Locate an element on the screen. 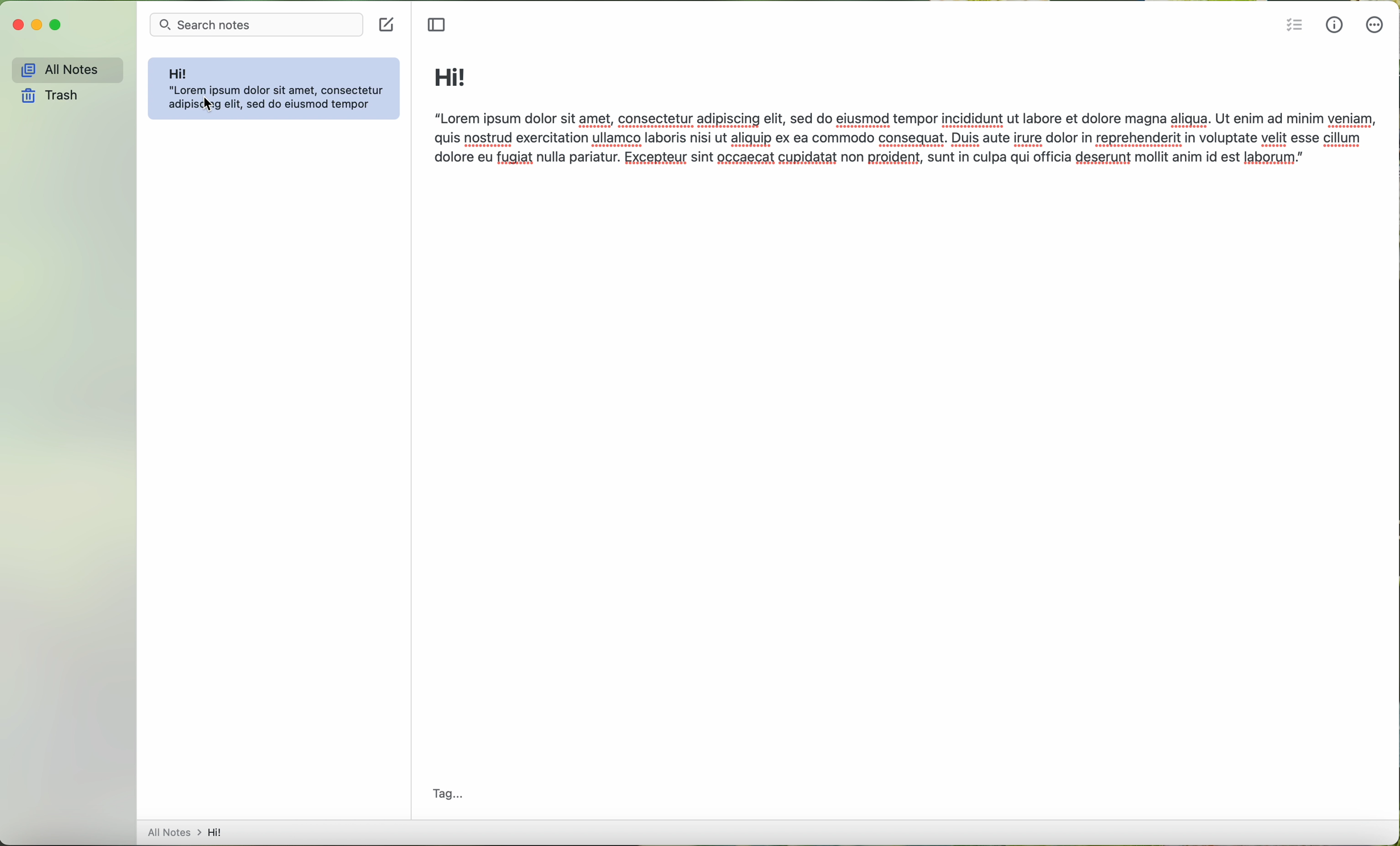  minimize Simplenote is located at coordinates (37, 24).